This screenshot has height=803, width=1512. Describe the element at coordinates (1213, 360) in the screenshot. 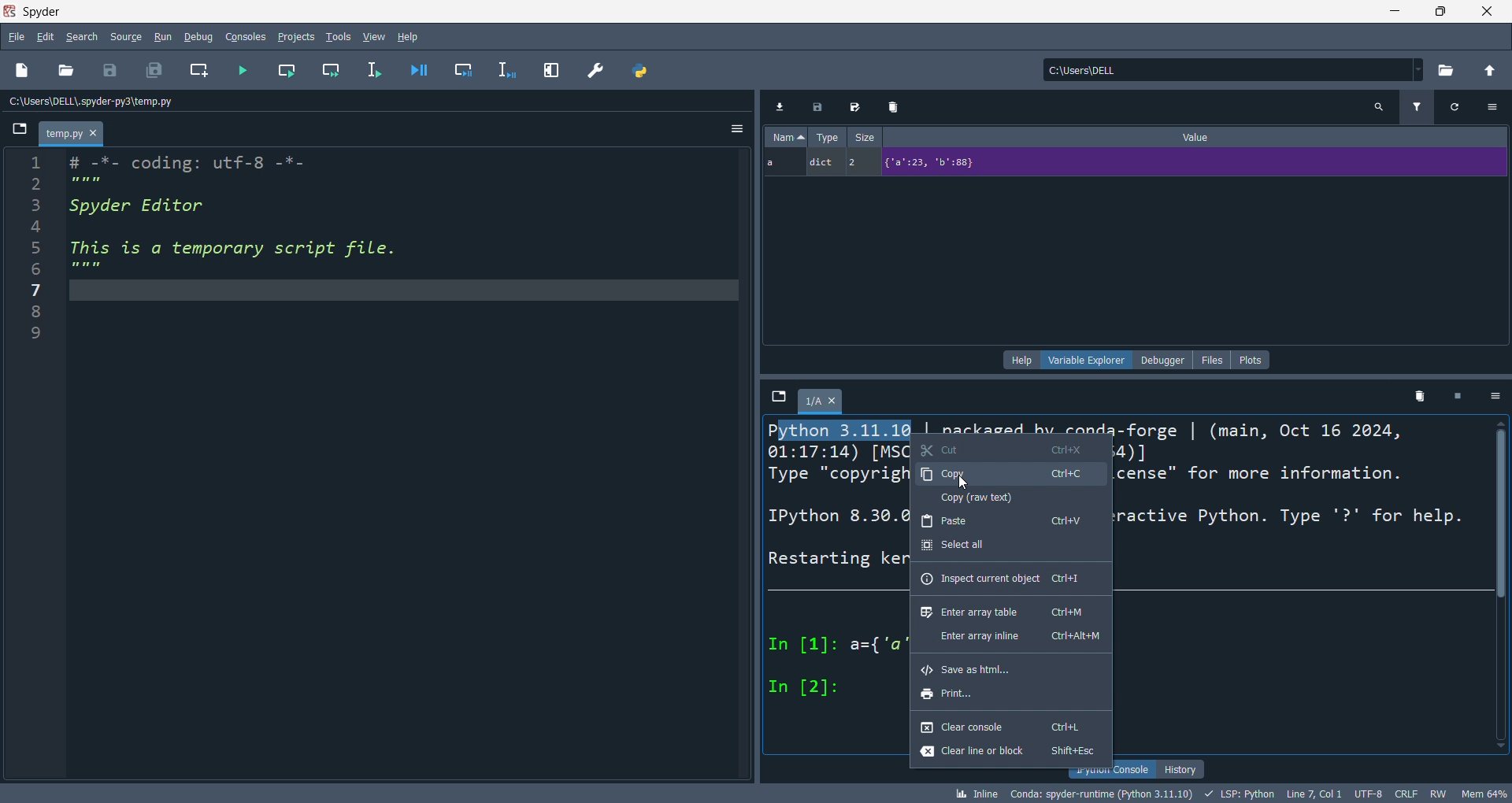

I see `files` at that location.